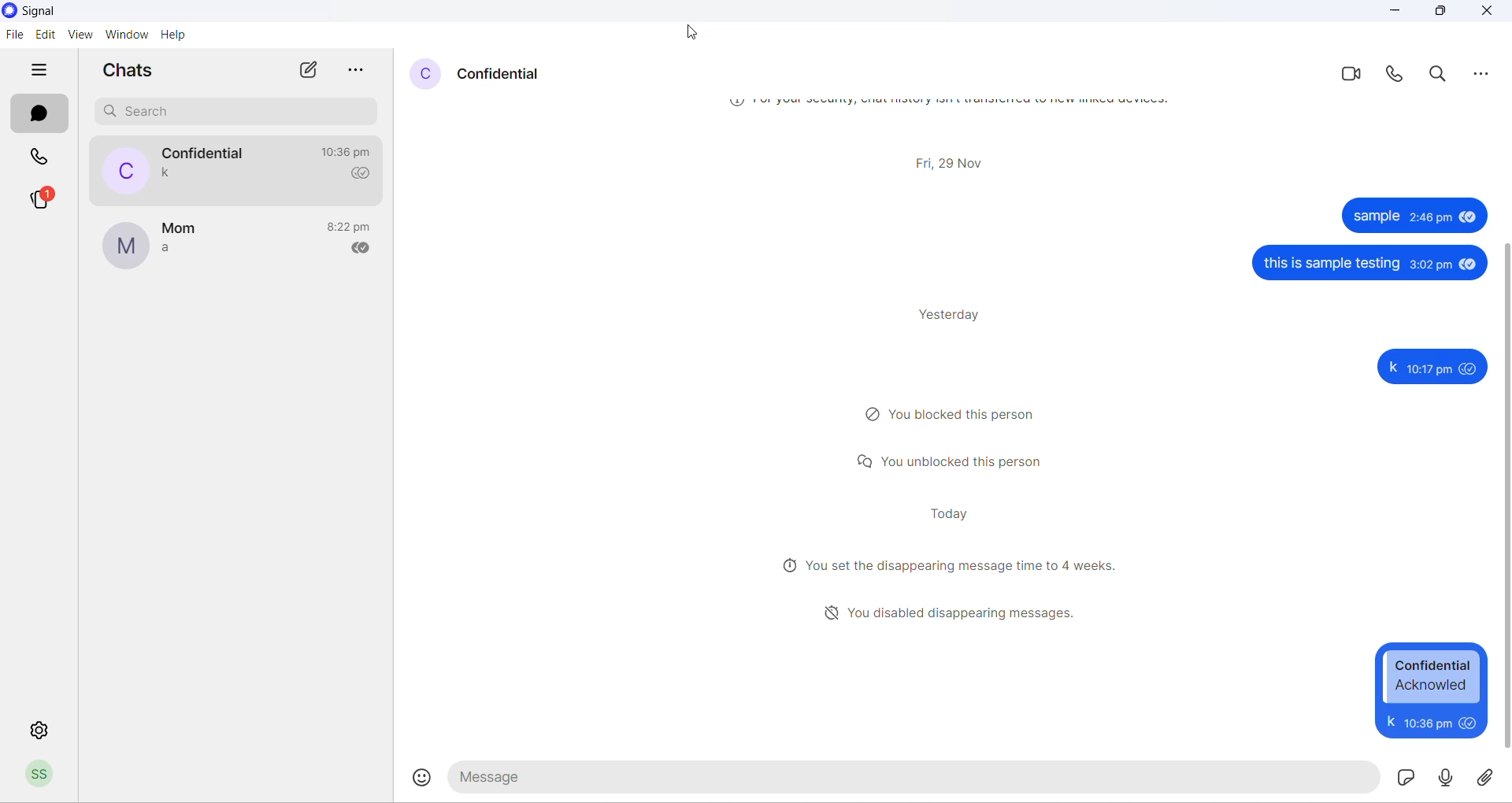 The image size is (1512, 803). Describe the element at coordinates (169, 174) in the screenshot. I see `last message` at that location.